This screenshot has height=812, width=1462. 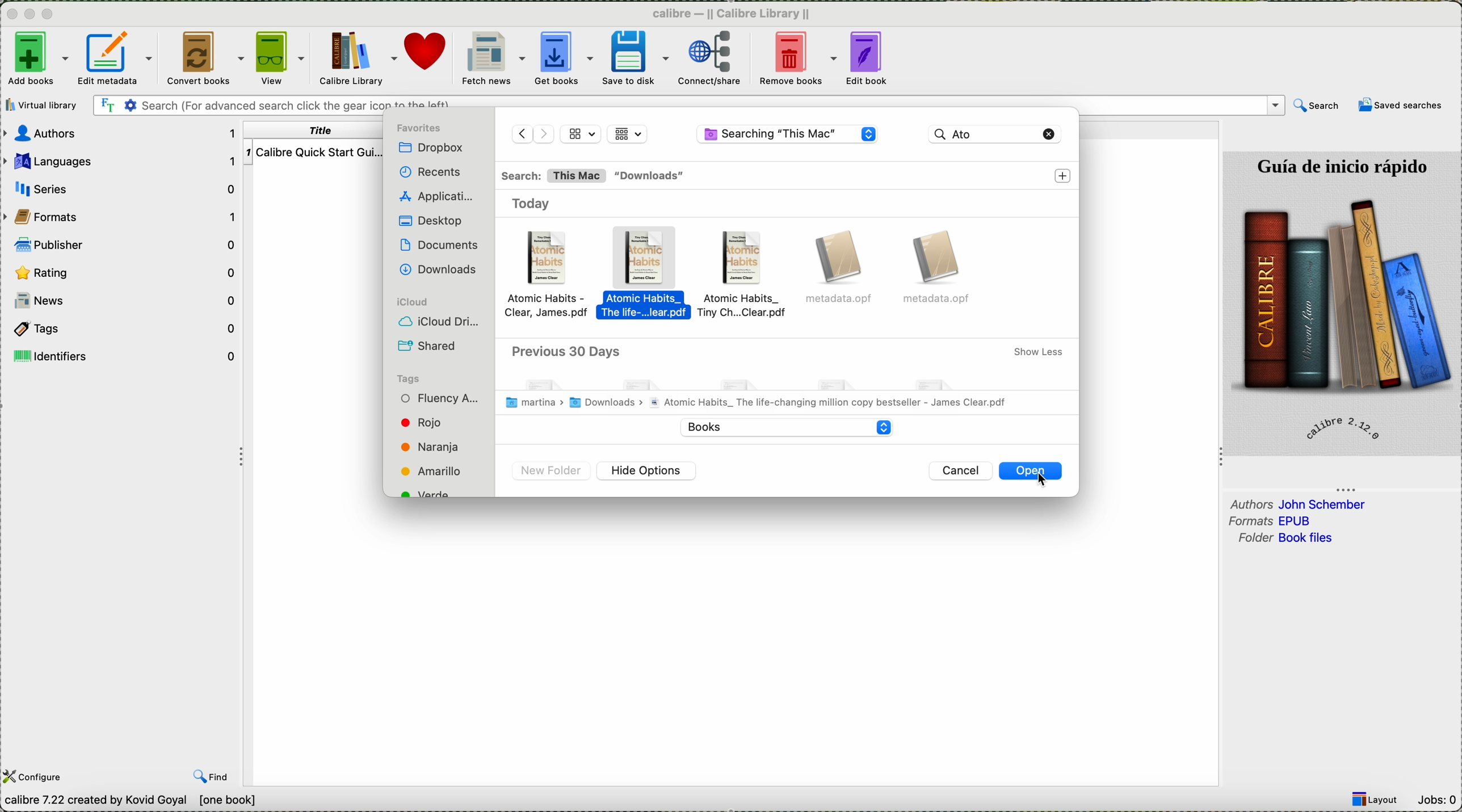 I want to click on title, so click(x=316, y=131).